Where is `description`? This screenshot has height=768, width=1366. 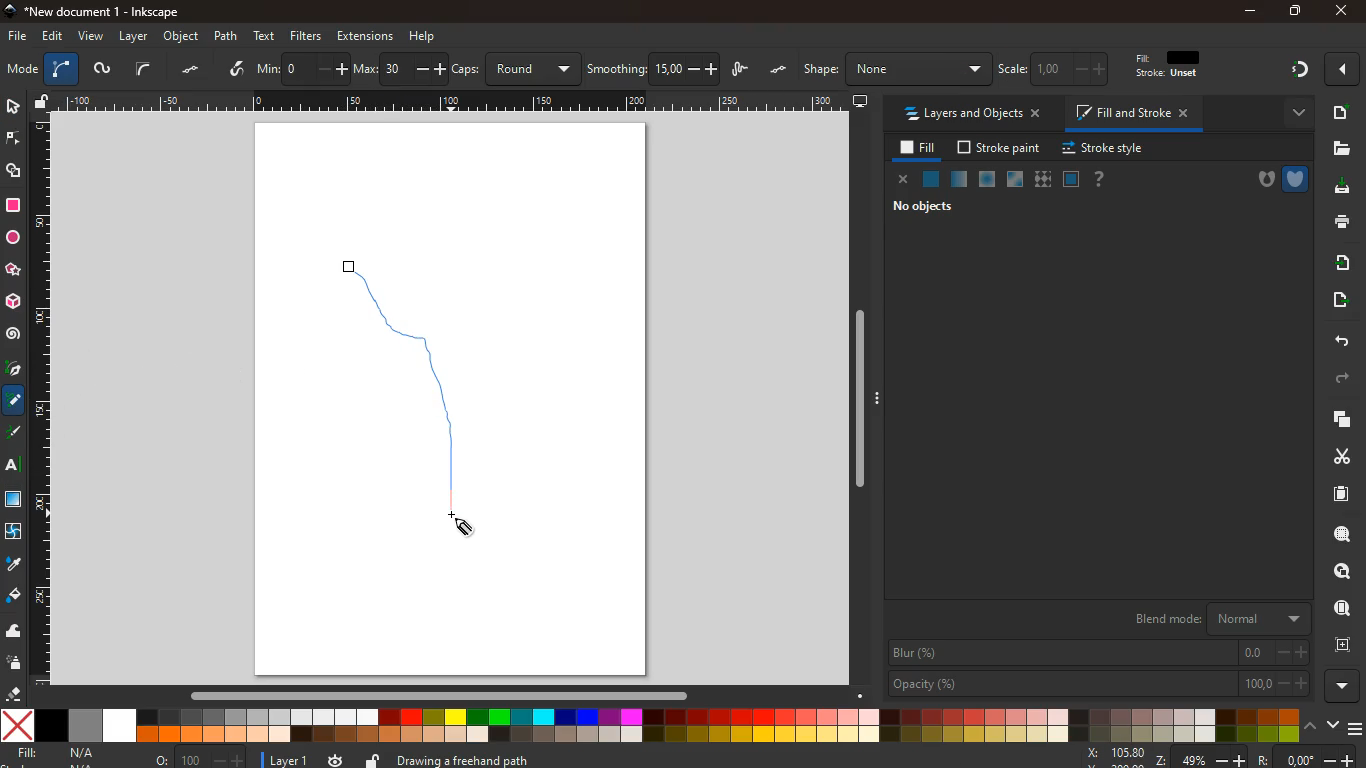
description is located at coordinates (680, 758).